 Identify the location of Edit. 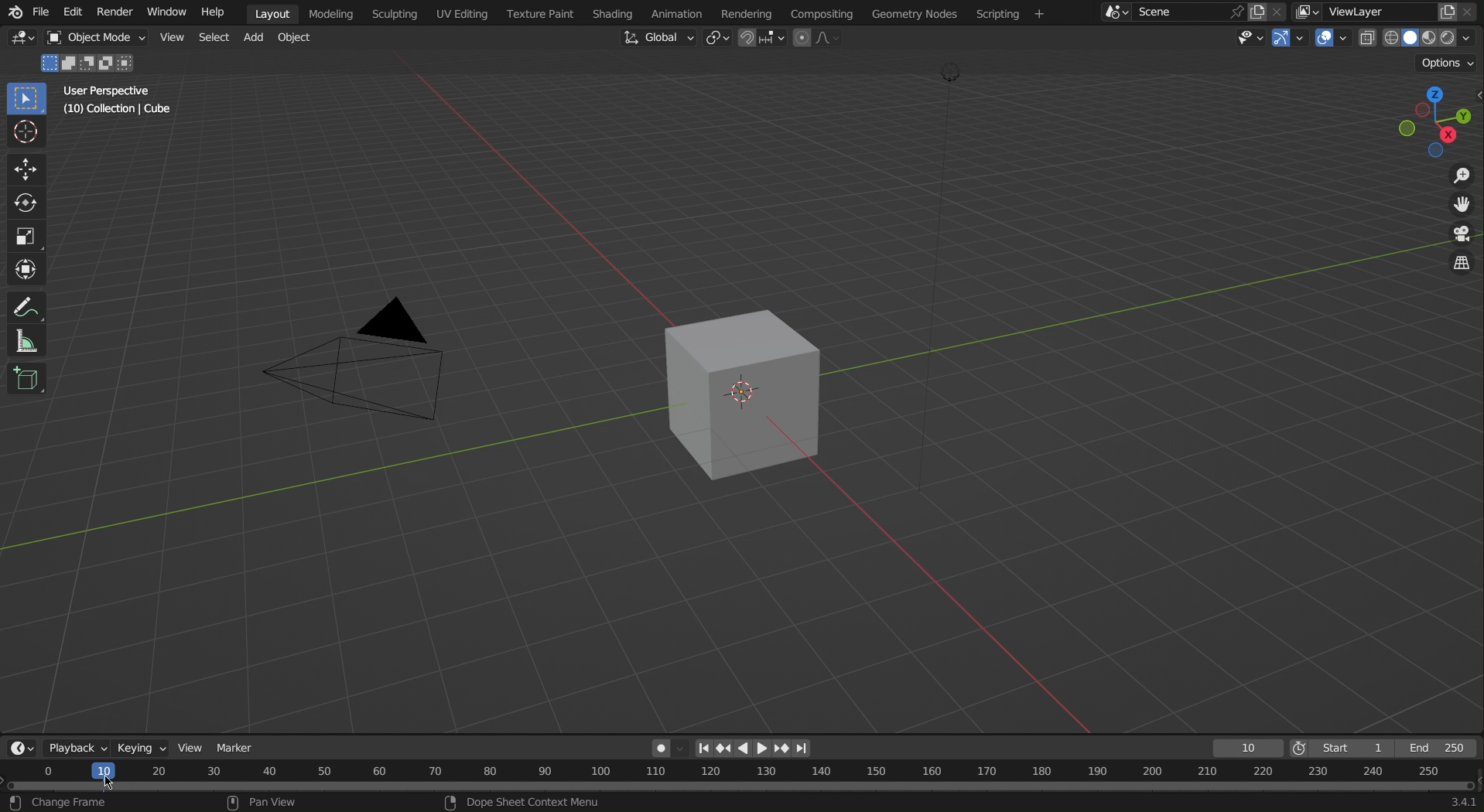
(74, 12).